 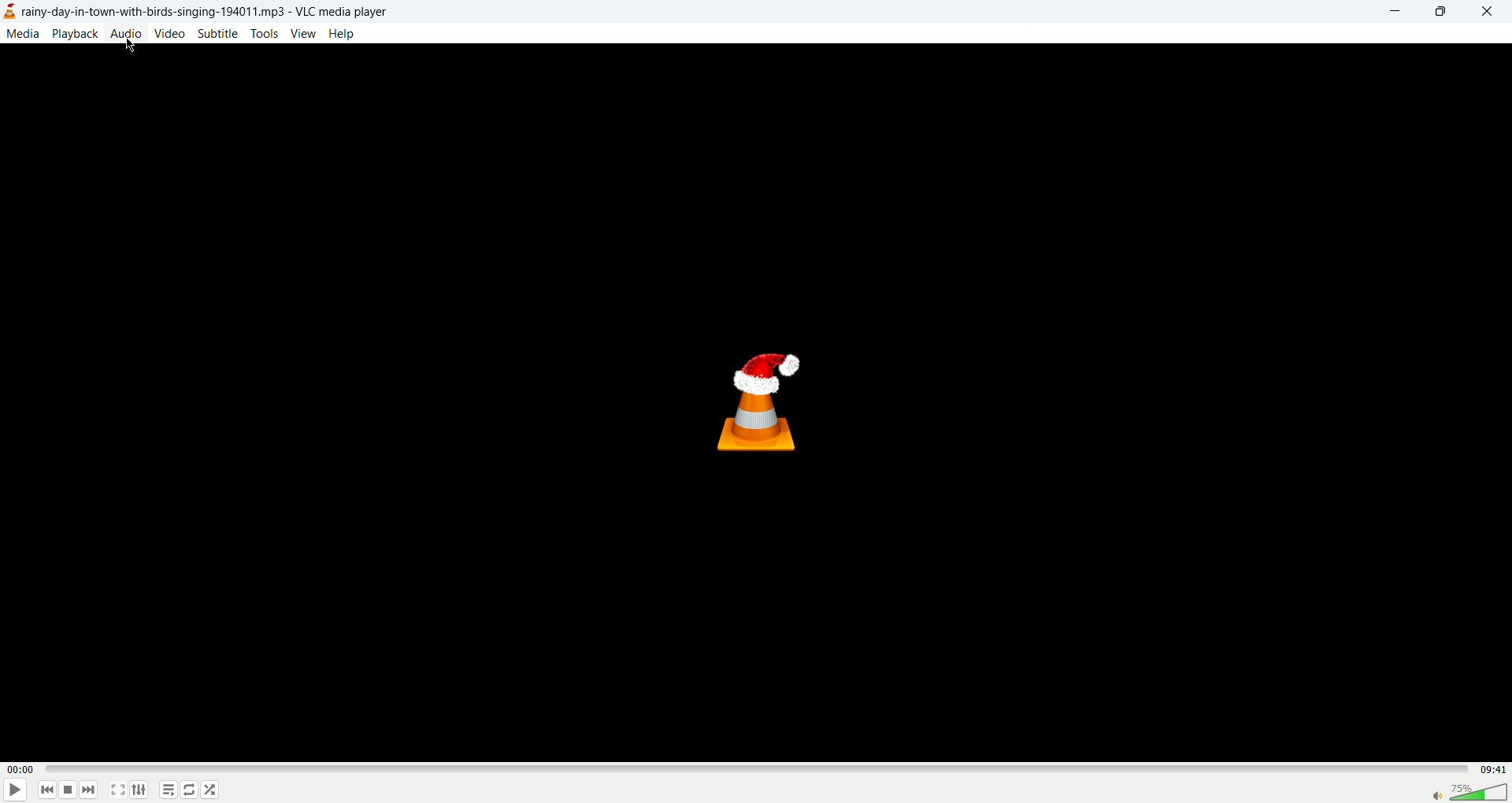 I want to click on next, so click(x=92, y=792).